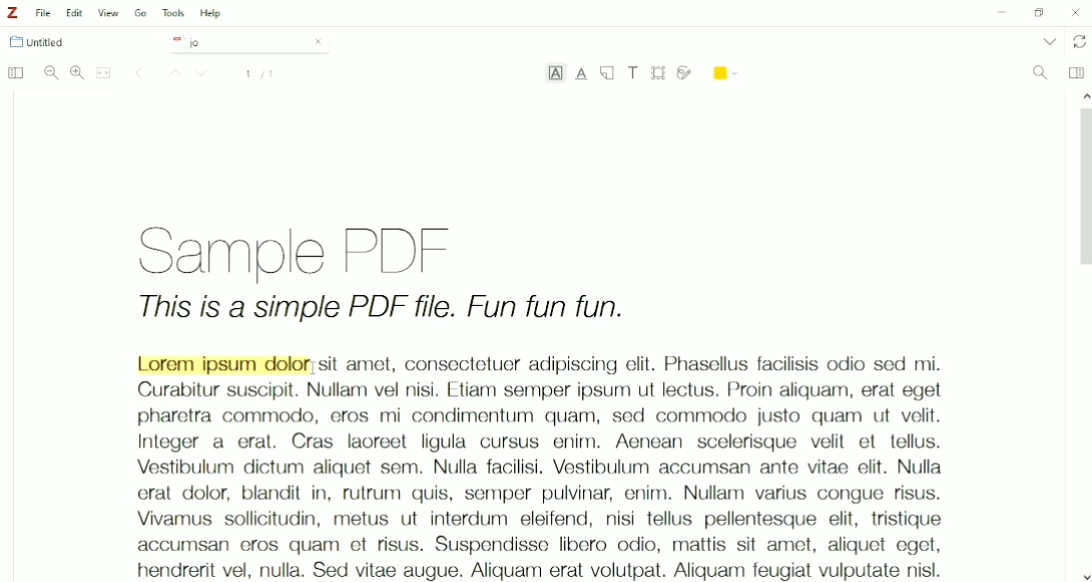 Image resolution: width=1092 pixels, height=582 pixels. Describe the element at coordinates (139, 74) in the screenshot. I see `Change Page` at that location.